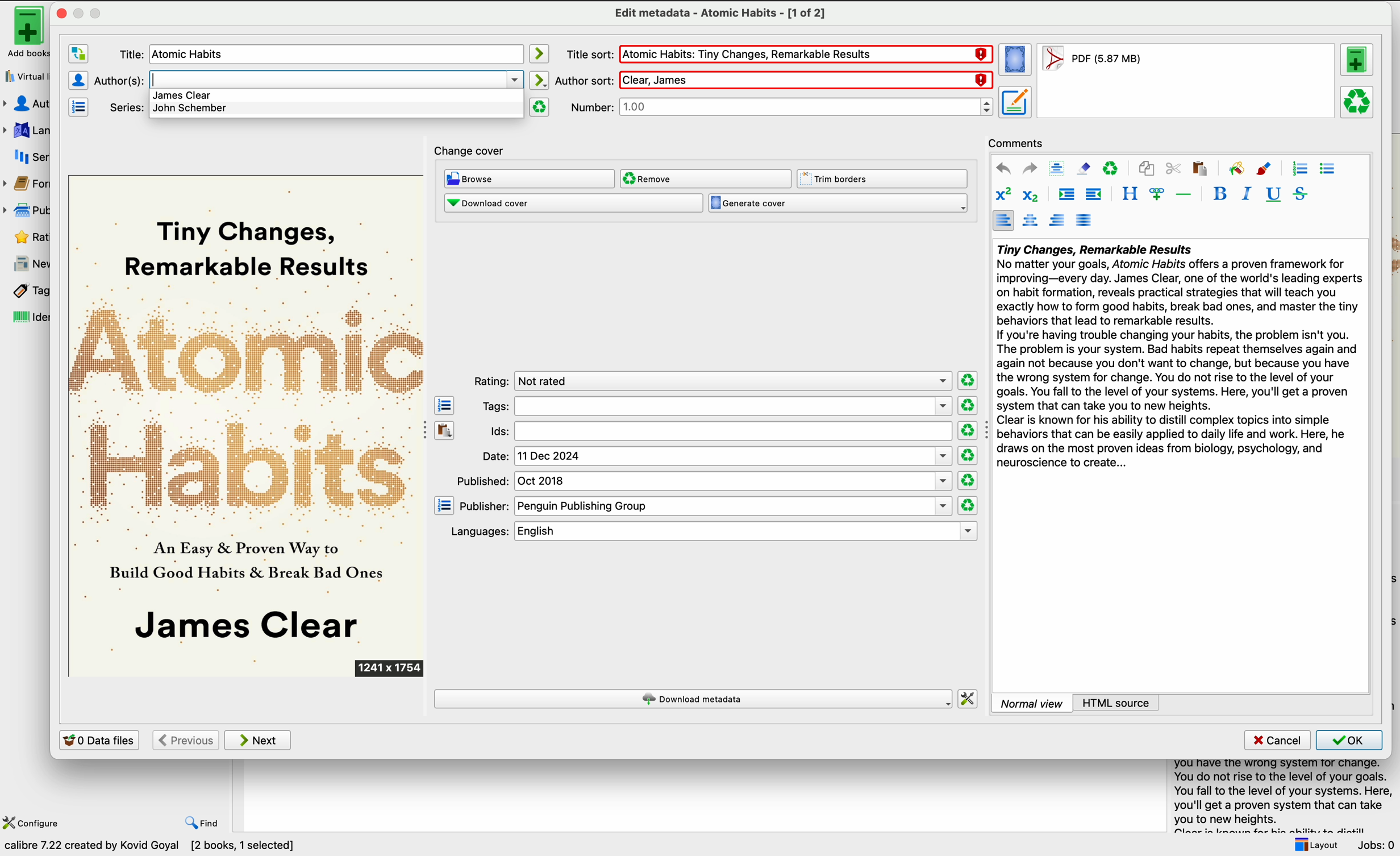  What do you see at coordinates (1184, 194) in the screenshot?
I see `insert separator` at bounding box center [1184, 194].